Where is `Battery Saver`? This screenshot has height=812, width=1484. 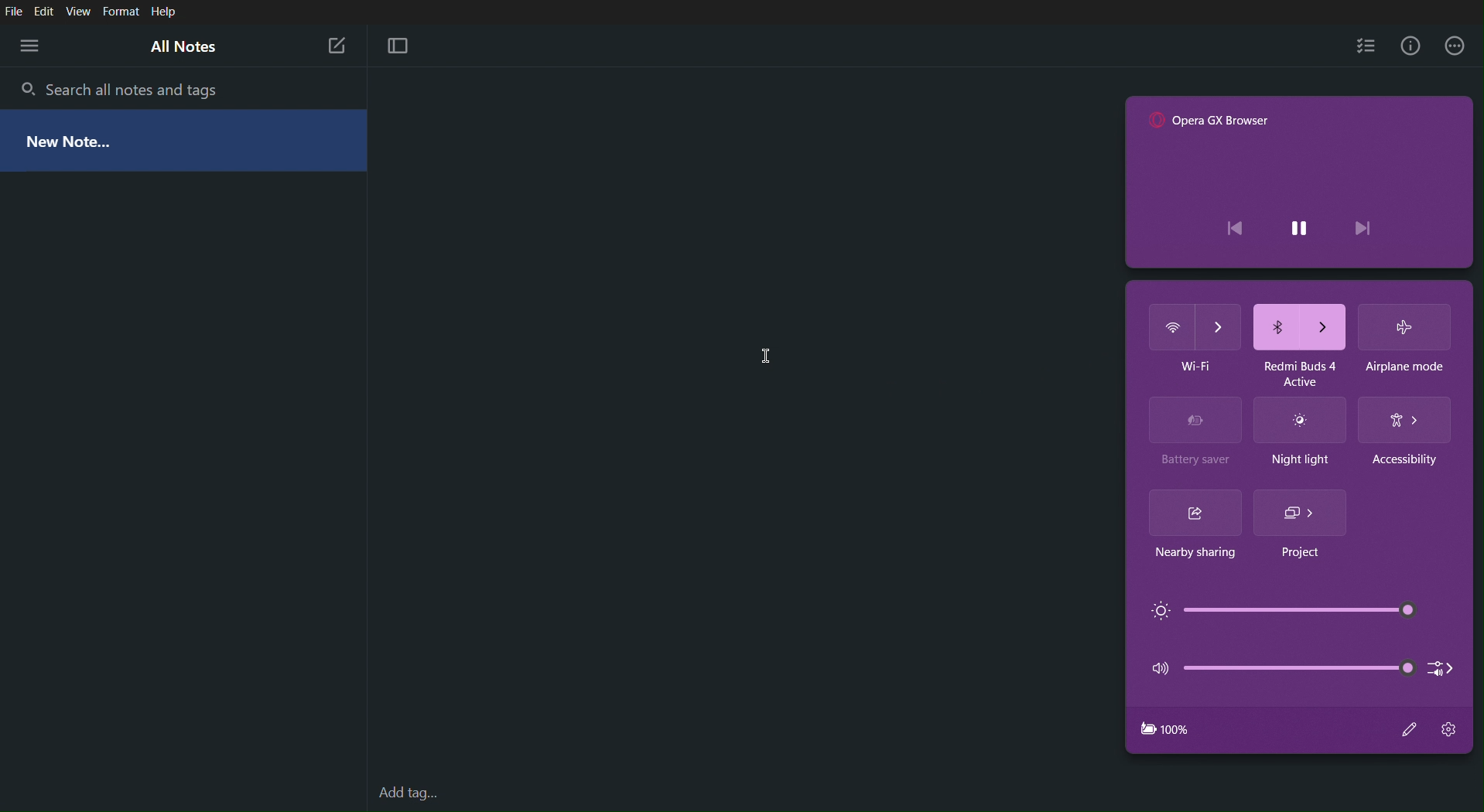
Battery Saver is located at coordinates (1197, 421).